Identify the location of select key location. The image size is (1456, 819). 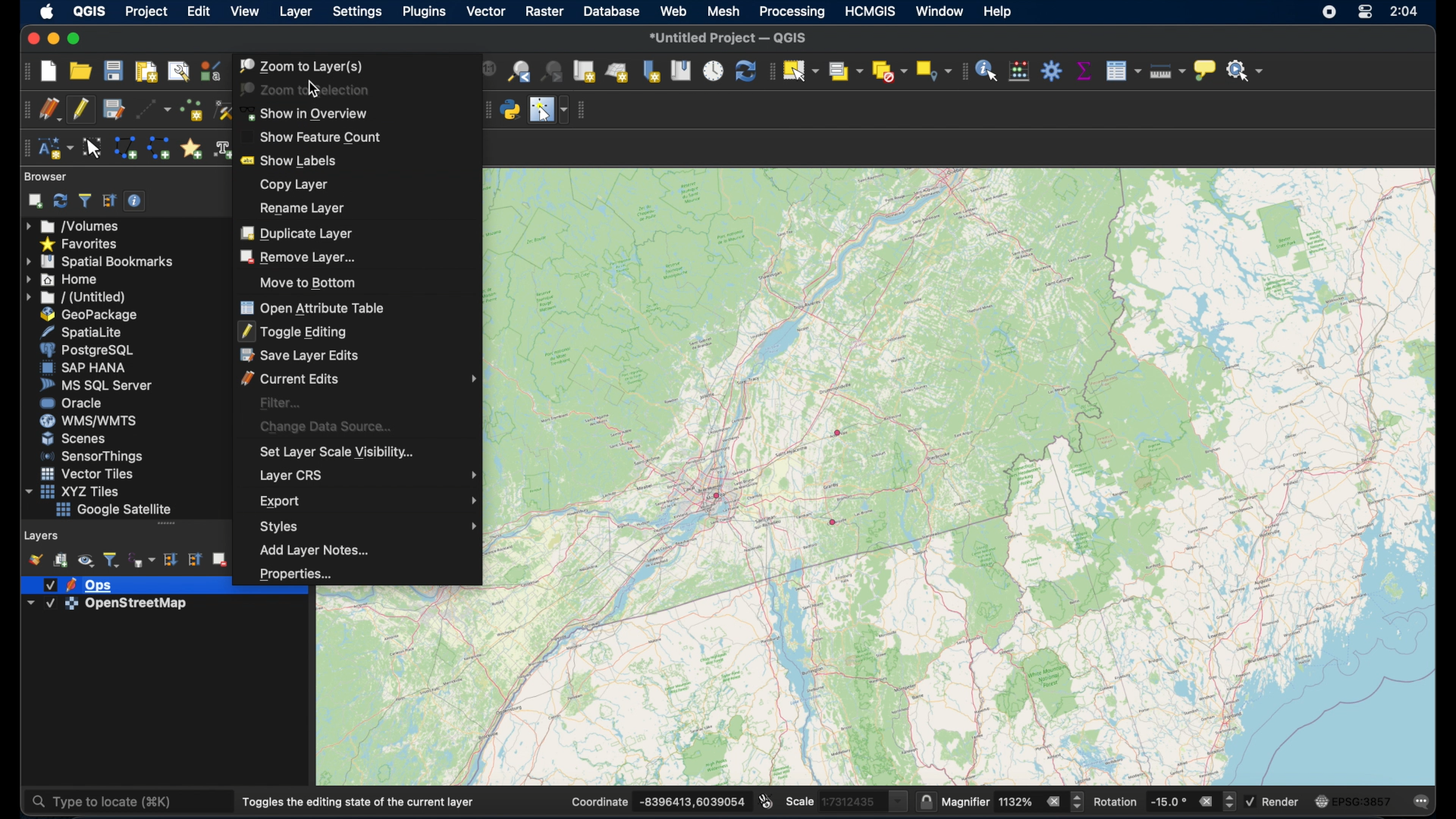
(933, 71).